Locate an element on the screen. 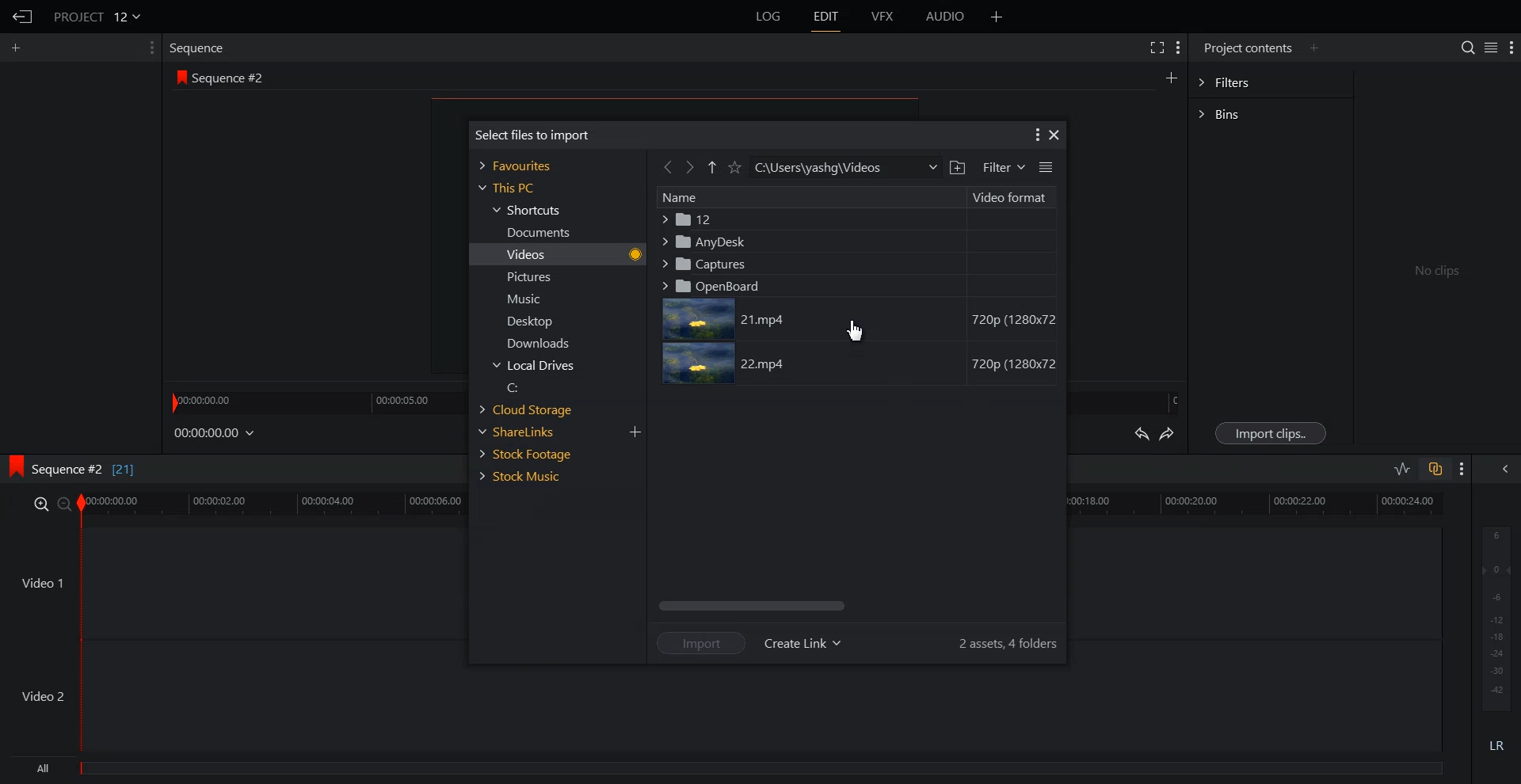 This screenshot has height=784, width=1521. Search is located at coordinates (1461, 46).